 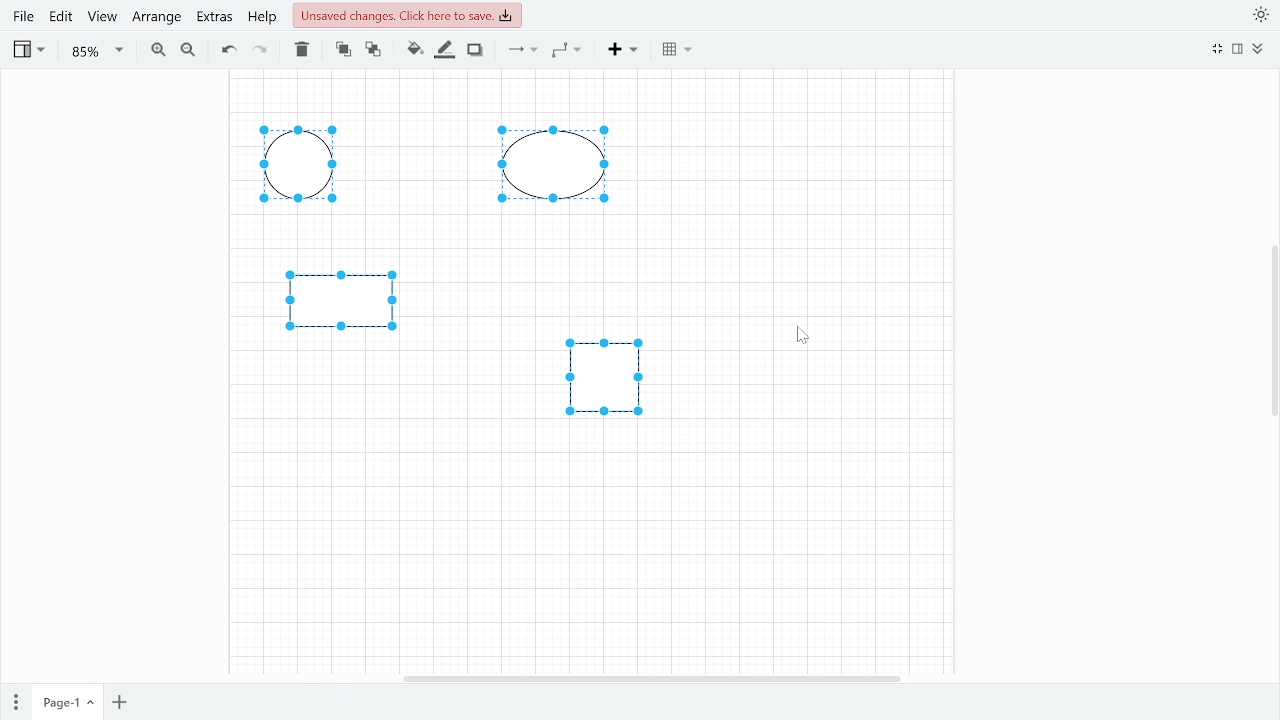 What do you see at coordinates (262, 21) in the screenshot?
I see `Help` at bounding box center [262, 21].